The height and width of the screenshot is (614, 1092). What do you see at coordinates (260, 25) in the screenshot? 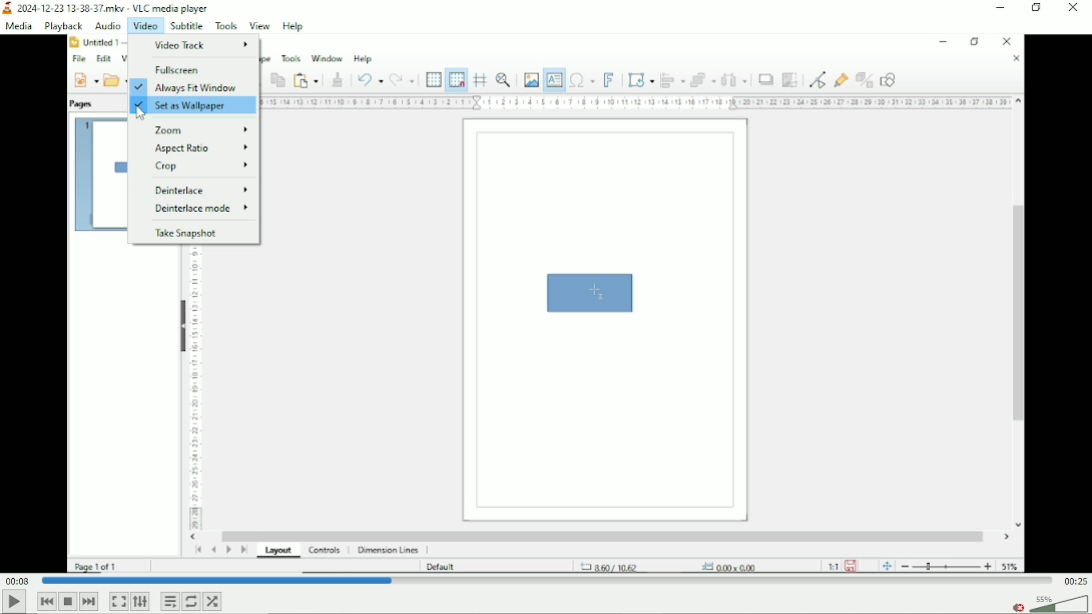
I see `View` at bounding box center [260, 25].